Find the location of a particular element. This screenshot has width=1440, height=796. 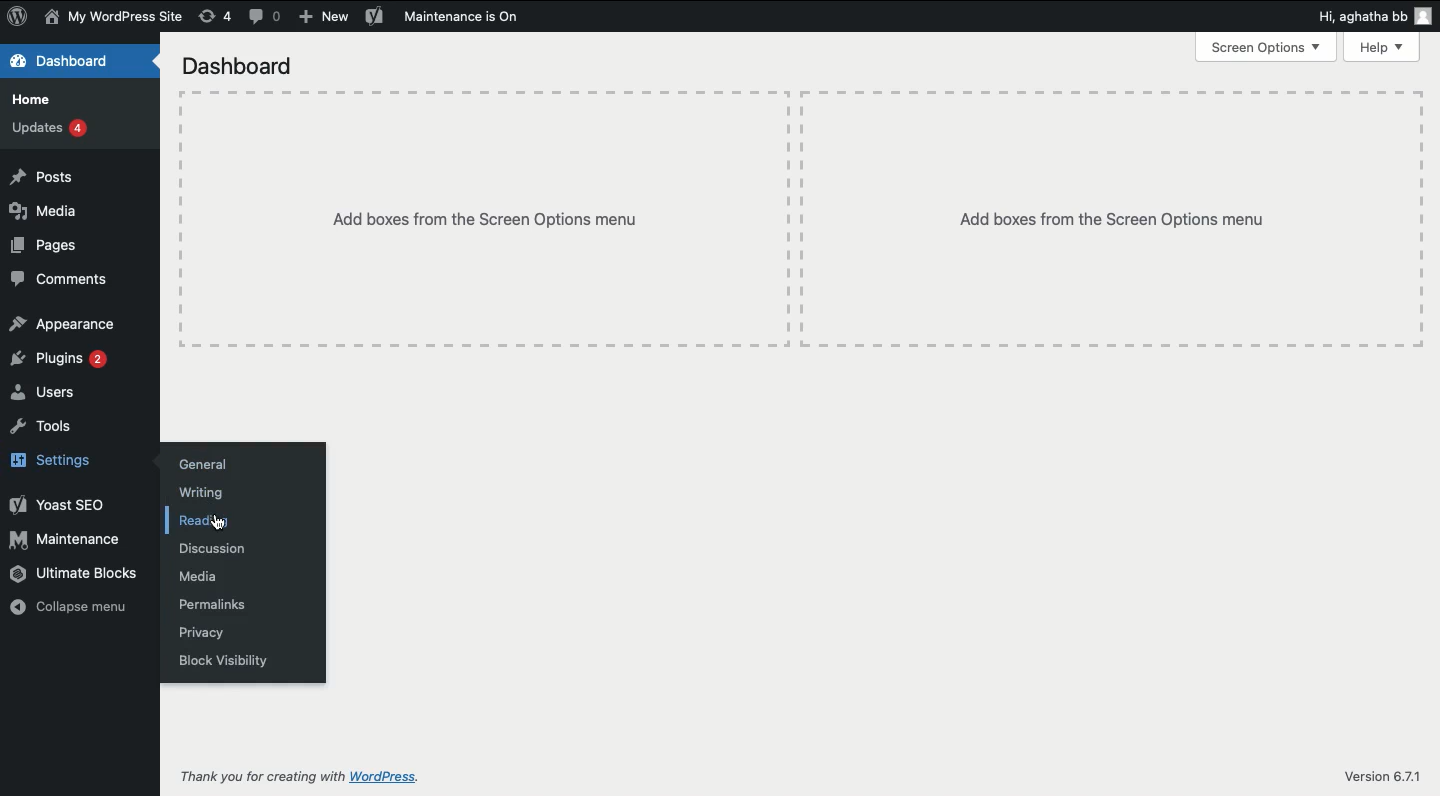

add boxes from the screen options menu is located at coordinates (494, 220).